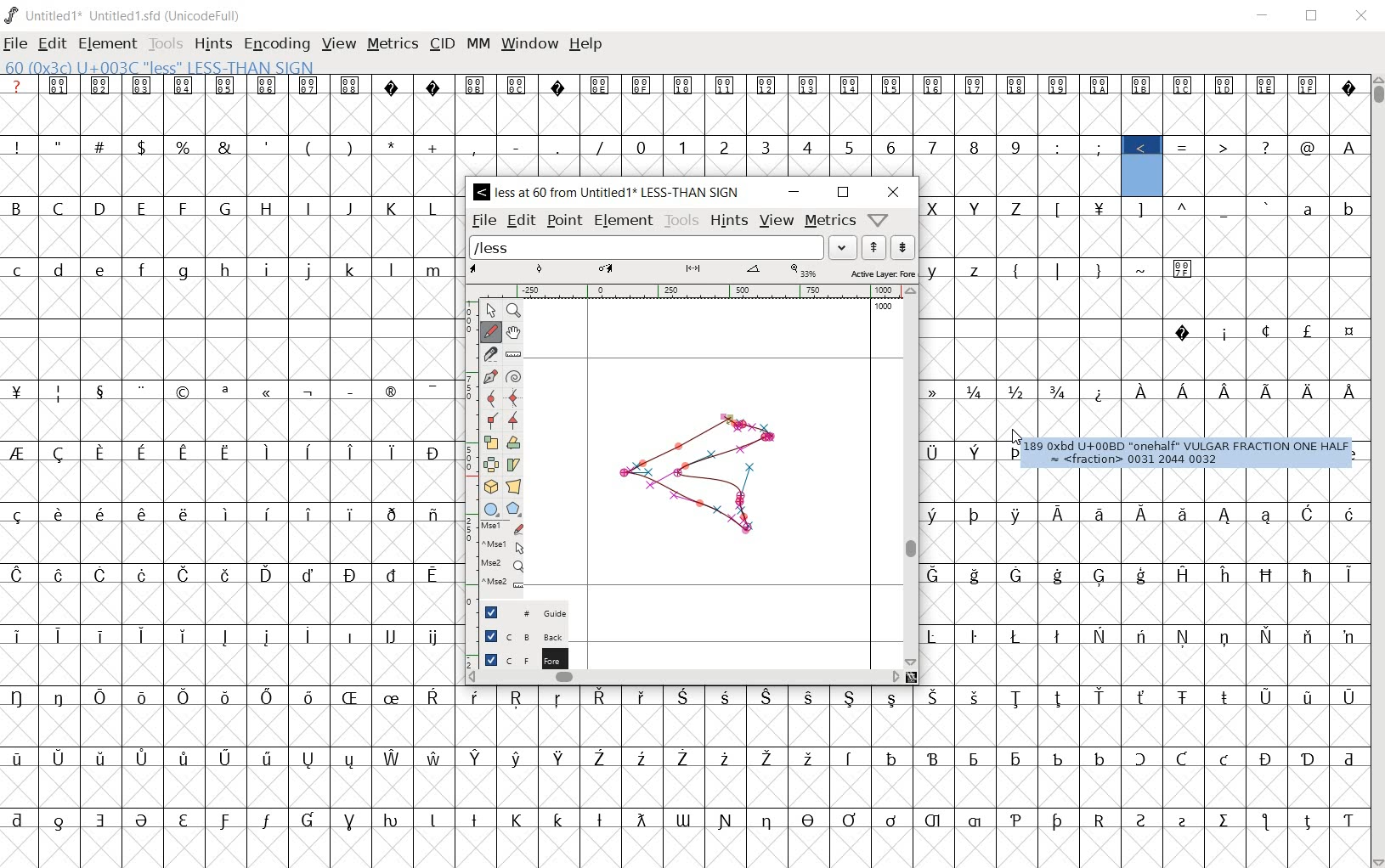 The width and height of the screenshot is (1385, 868). Describe the element at coordinates (54, 43) in the screenshot. I see `edit` at that location.